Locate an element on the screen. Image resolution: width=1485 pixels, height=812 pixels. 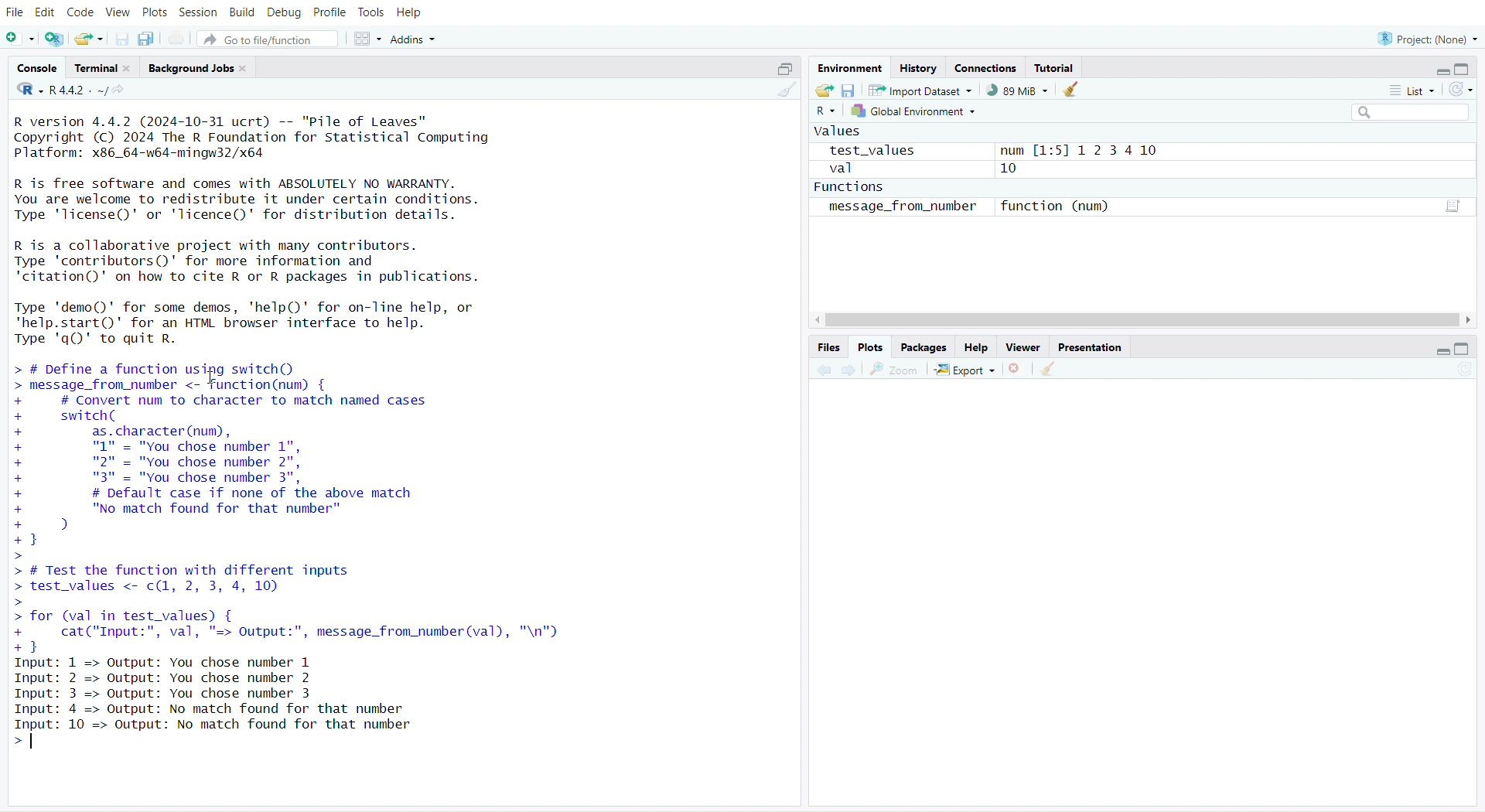
Clear console (Ctrl +L) is located at coordinates (1053, 368).